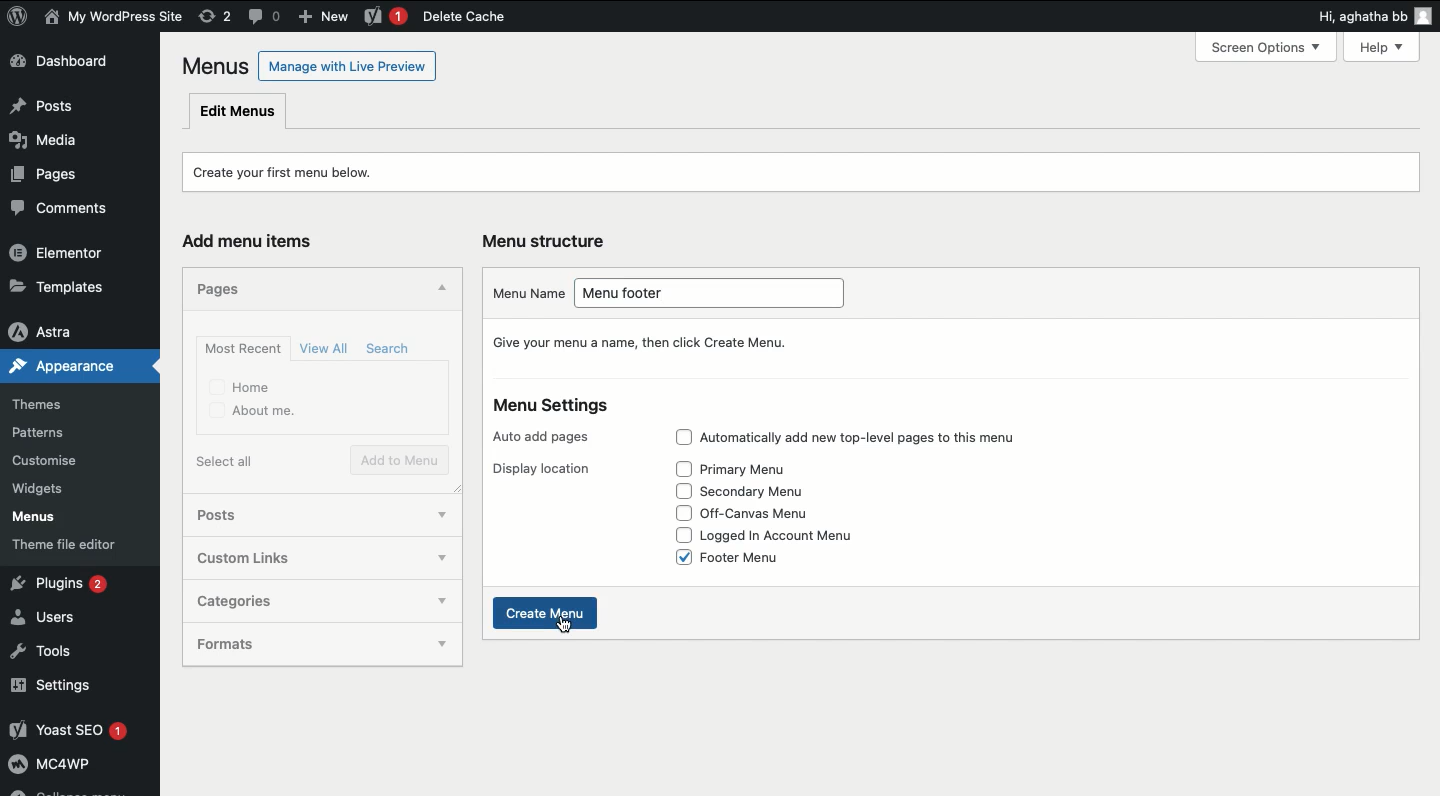 This screenshot has height=796, width=1440. I want to click on Elementor, so click(68, 254).